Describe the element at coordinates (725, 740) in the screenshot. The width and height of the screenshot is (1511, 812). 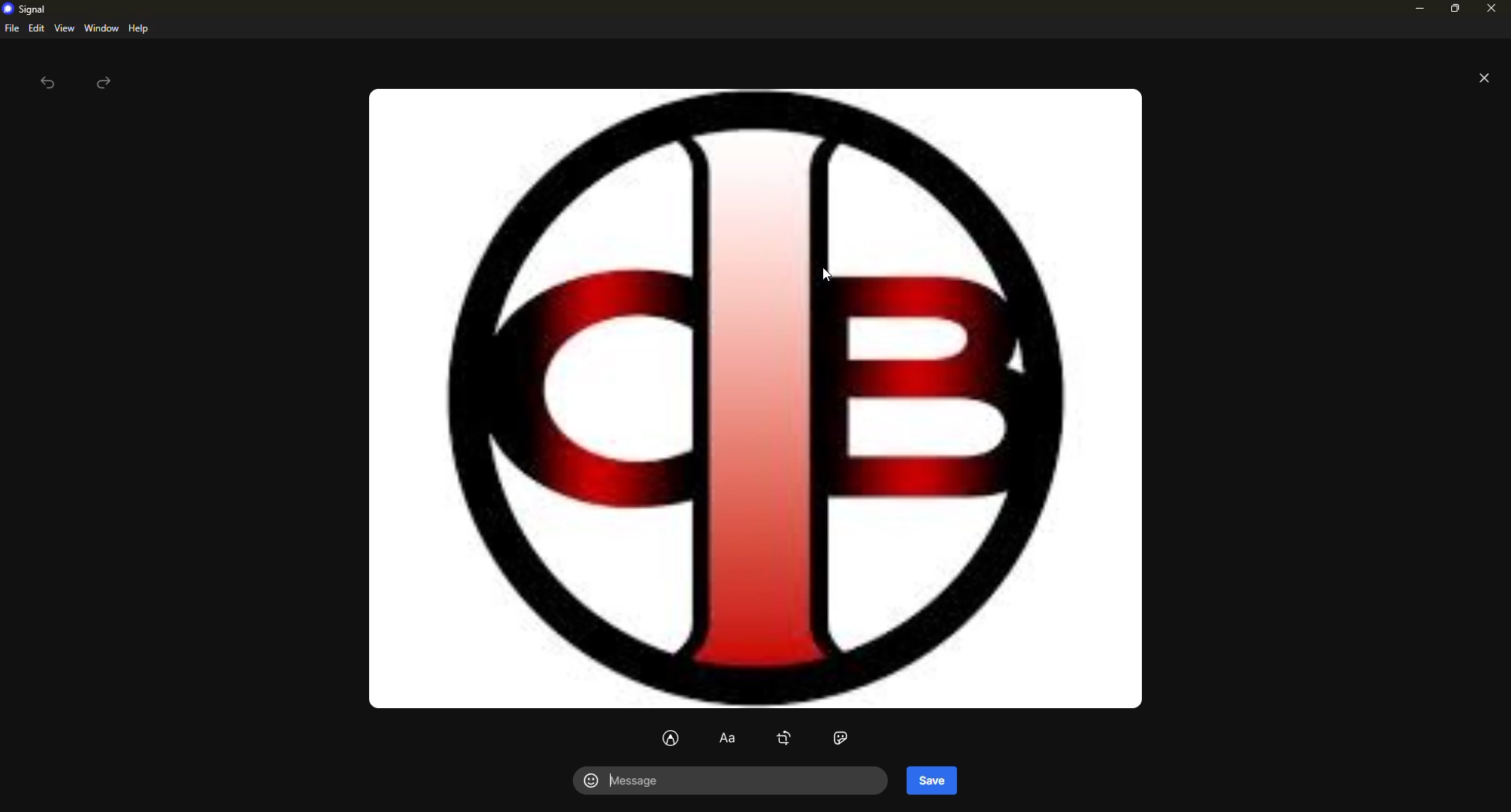
I see `text` at that location.